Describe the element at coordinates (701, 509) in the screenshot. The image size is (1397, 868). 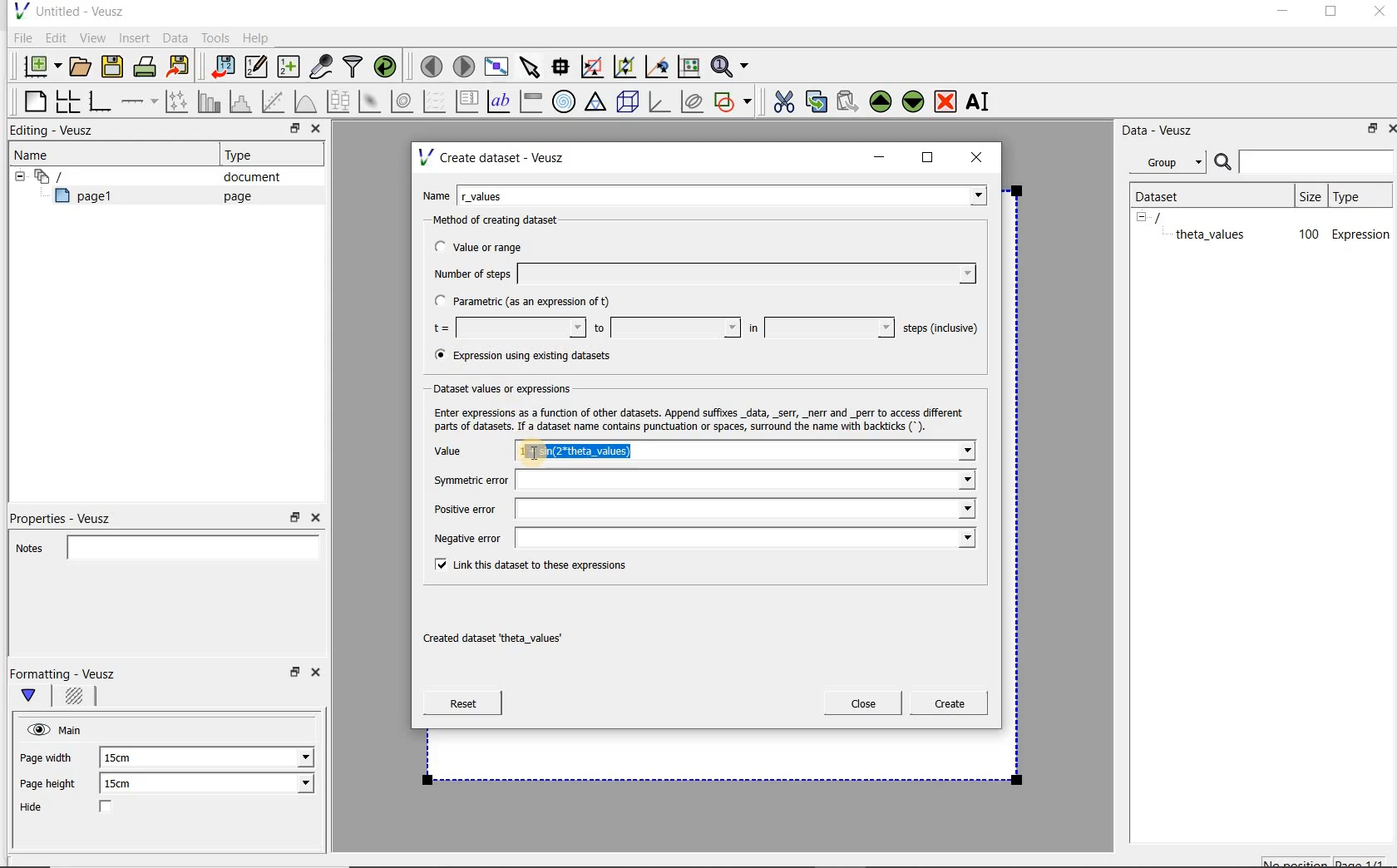
I see `Positive error` at that location.